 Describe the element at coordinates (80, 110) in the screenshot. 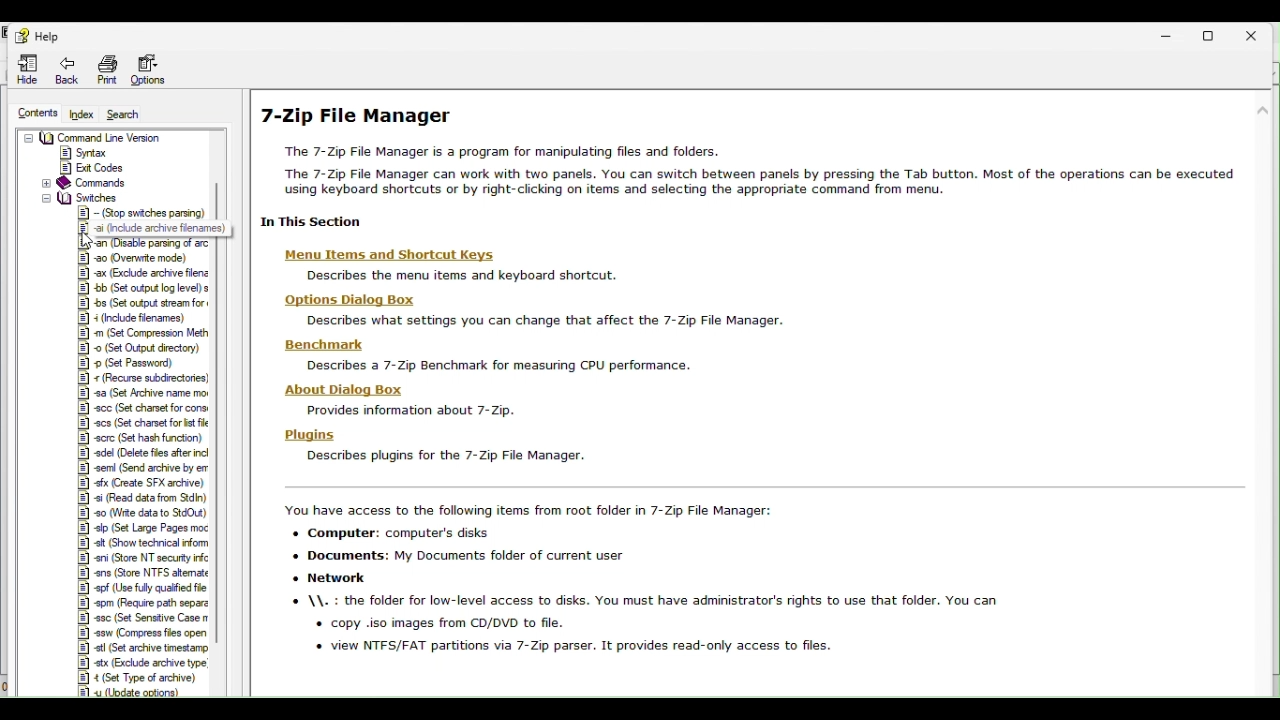

I see `index` at that location.